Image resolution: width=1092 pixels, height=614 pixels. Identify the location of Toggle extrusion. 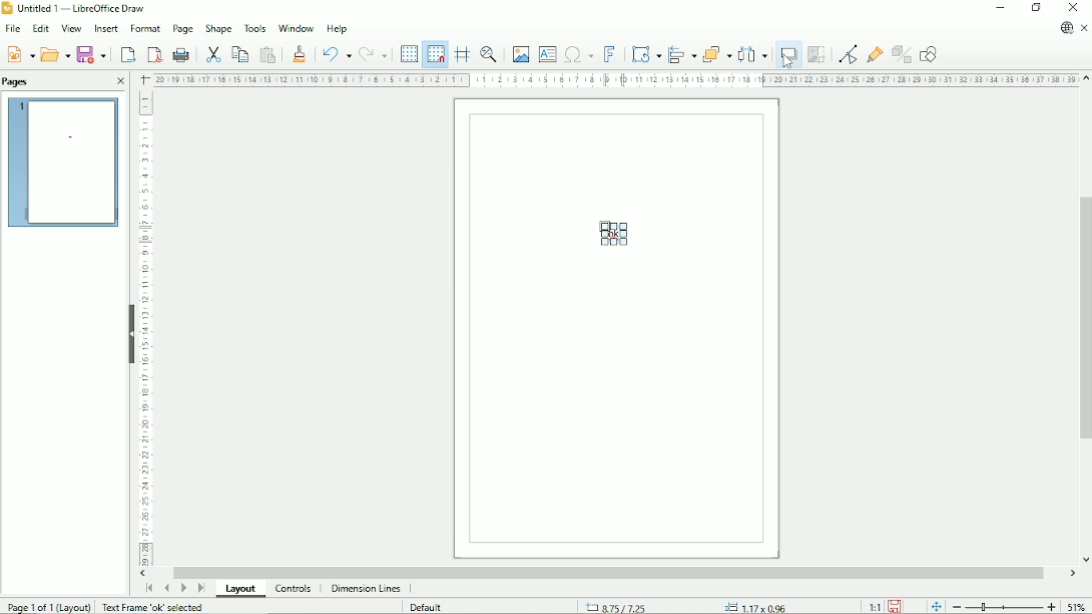
(902, 54).